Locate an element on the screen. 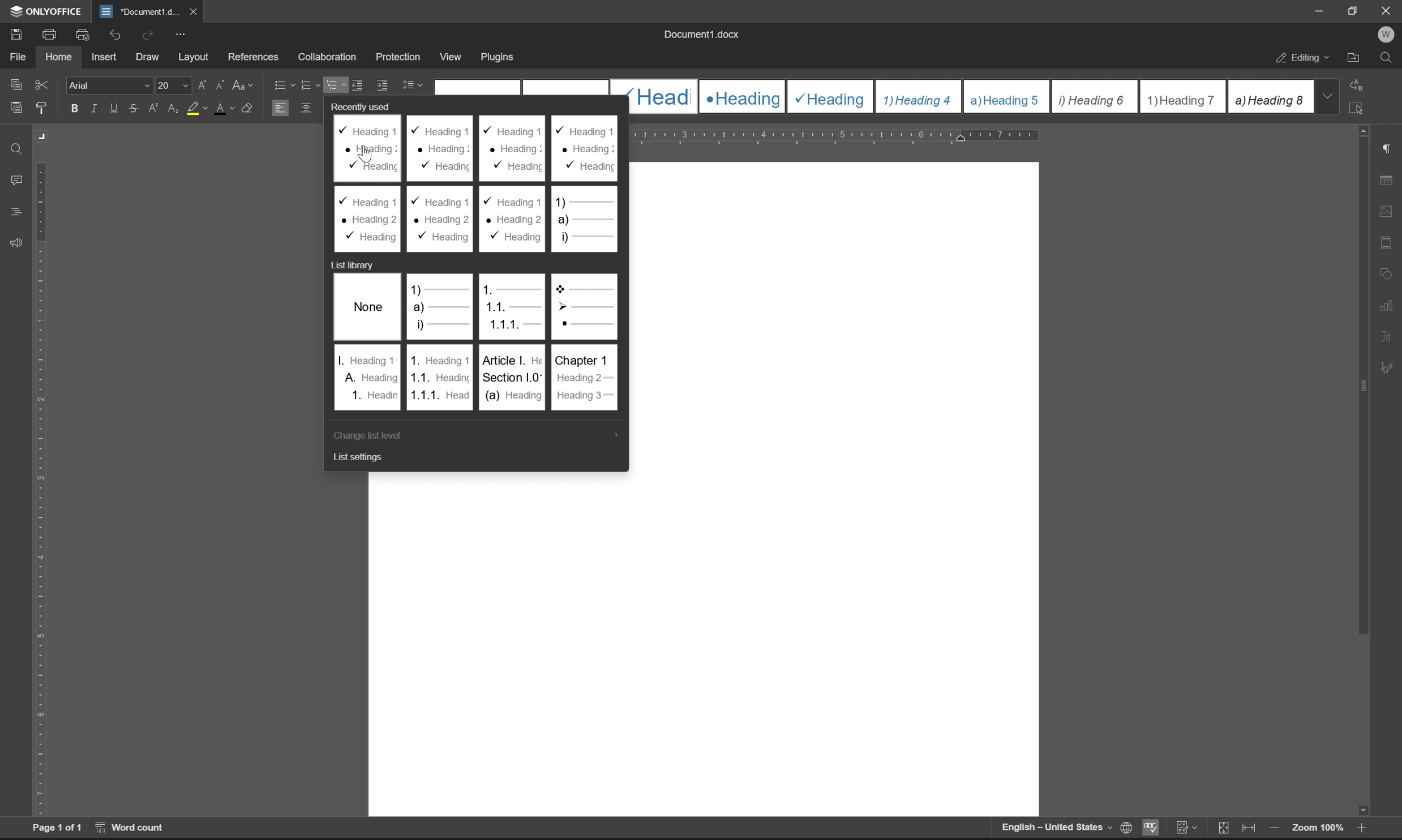 The width and height of the screenshot is (1402, 840). set document language is located at coordinates (1124, 828).